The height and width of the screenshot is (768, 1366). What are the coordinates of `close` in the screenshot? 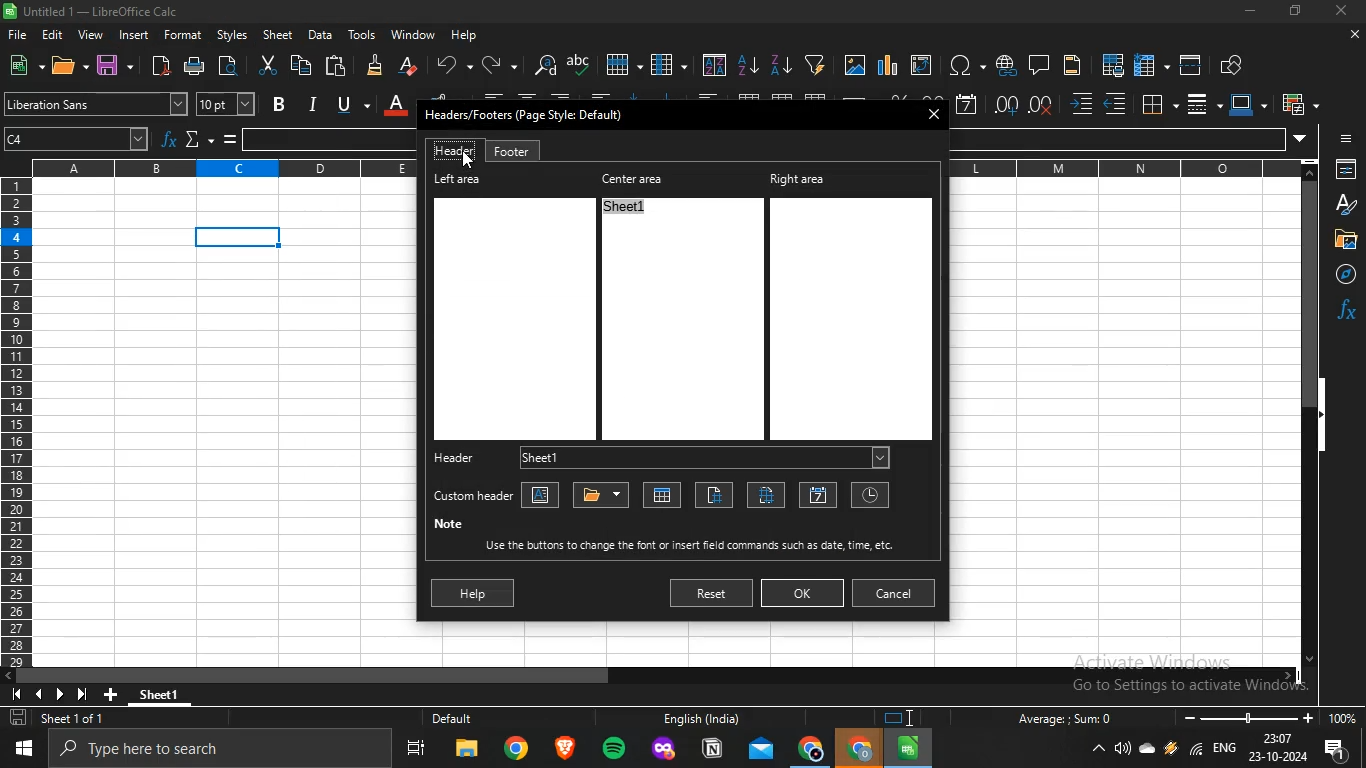 It's located at (936, 116).